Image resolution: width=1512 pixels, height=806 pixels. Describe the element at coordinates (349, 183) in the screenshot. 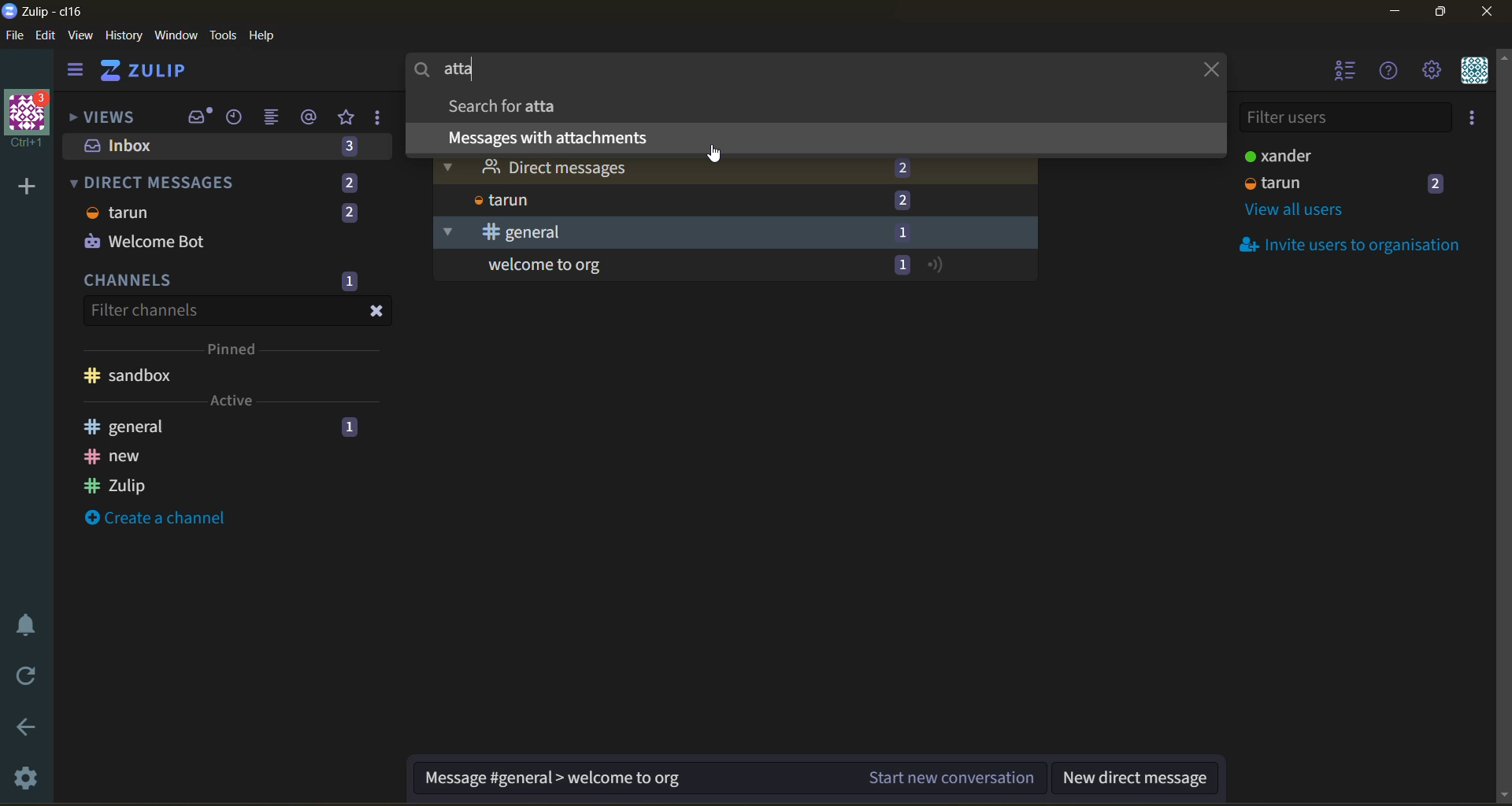

I see `2` at that location.